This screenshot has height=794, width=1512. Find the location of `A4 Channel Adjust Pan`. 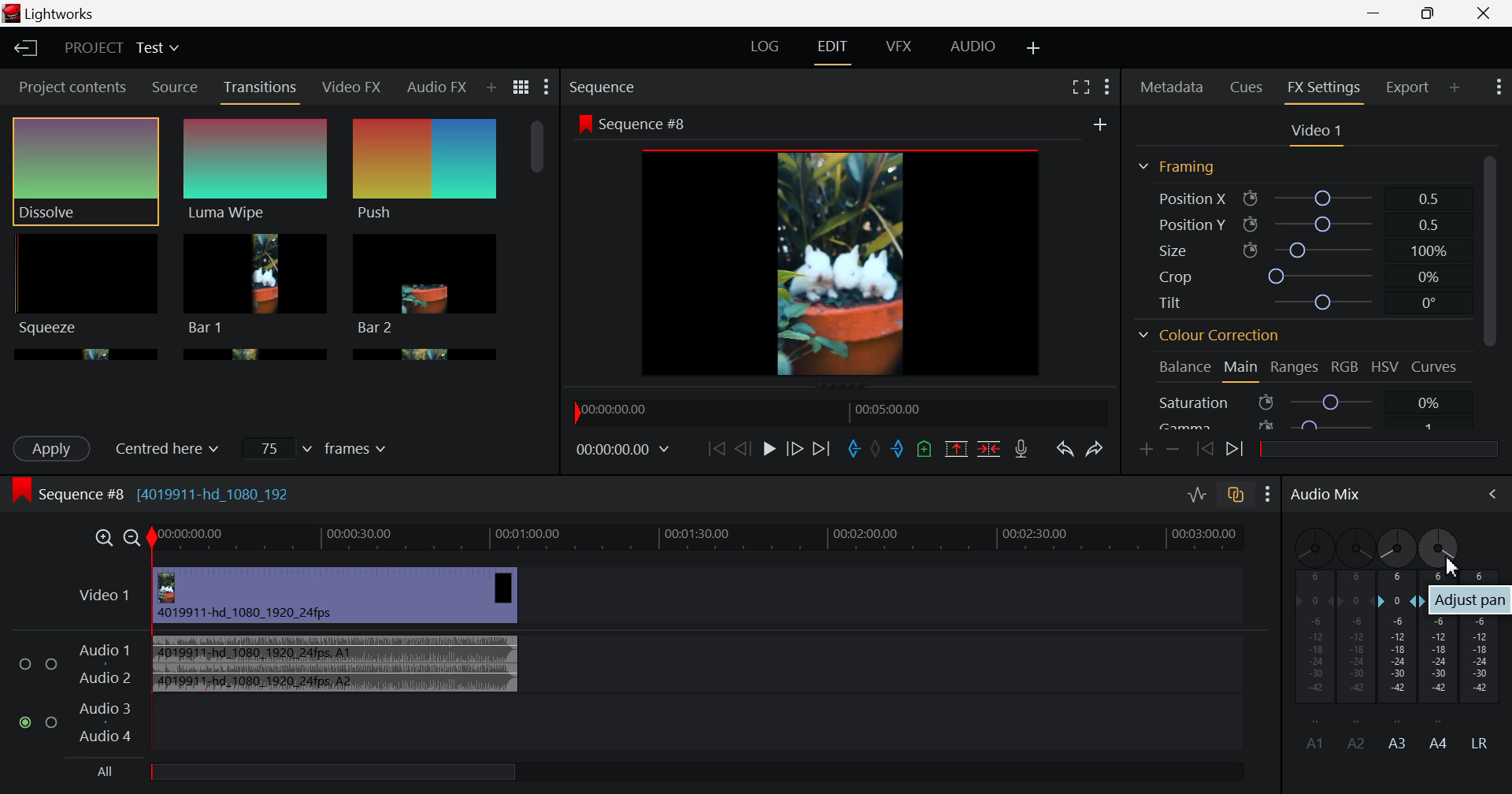

A4 Channel Adjust Pan is located at coordinates (1452, 570).